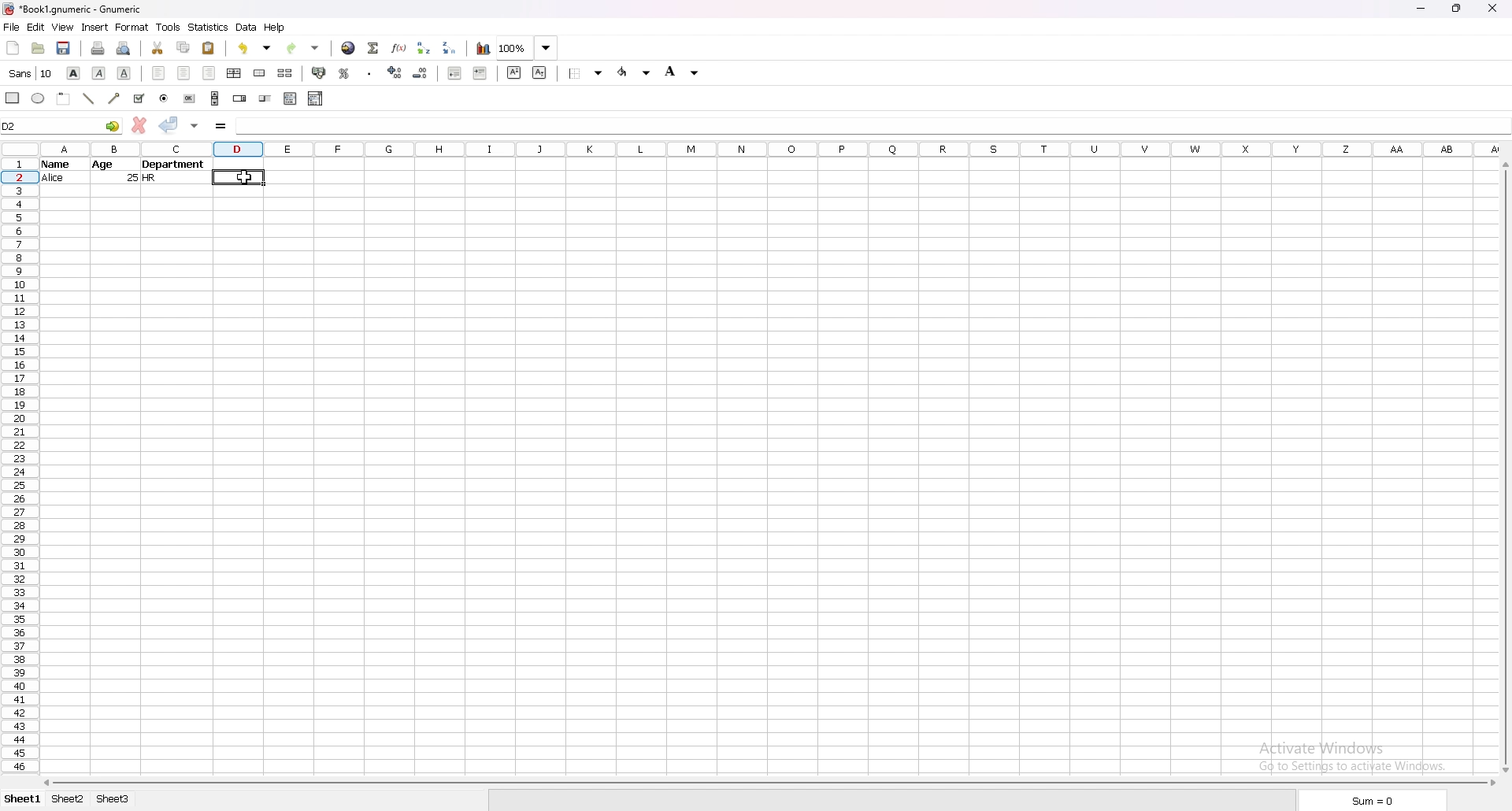  Describe the element at coordinates (1421, 9) in the screenshot. I see `minimize` at that location.